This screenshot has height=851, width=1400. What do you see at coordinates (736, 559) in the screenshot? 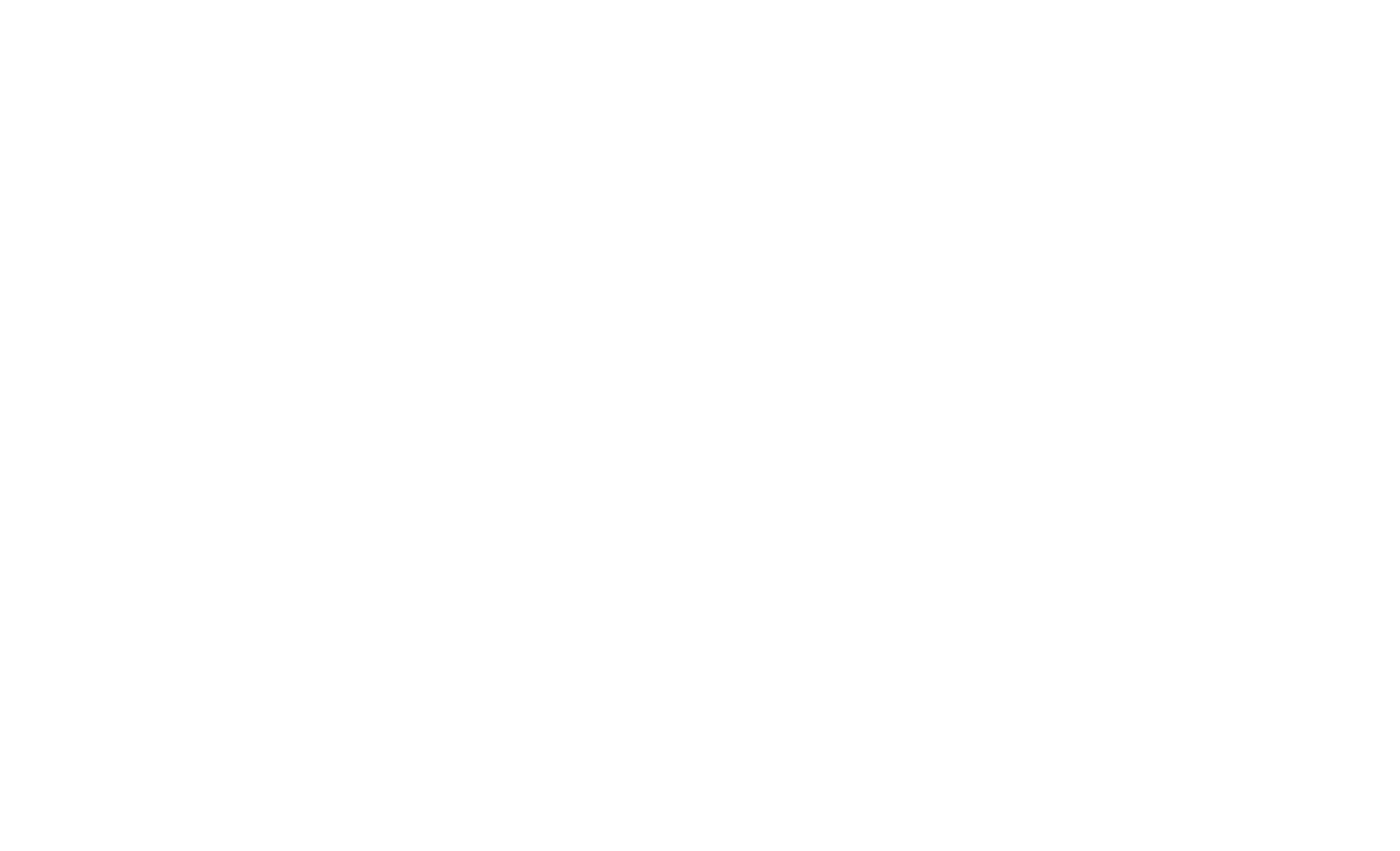
I see `Audio/mixer` at bounding box center [736, 559].